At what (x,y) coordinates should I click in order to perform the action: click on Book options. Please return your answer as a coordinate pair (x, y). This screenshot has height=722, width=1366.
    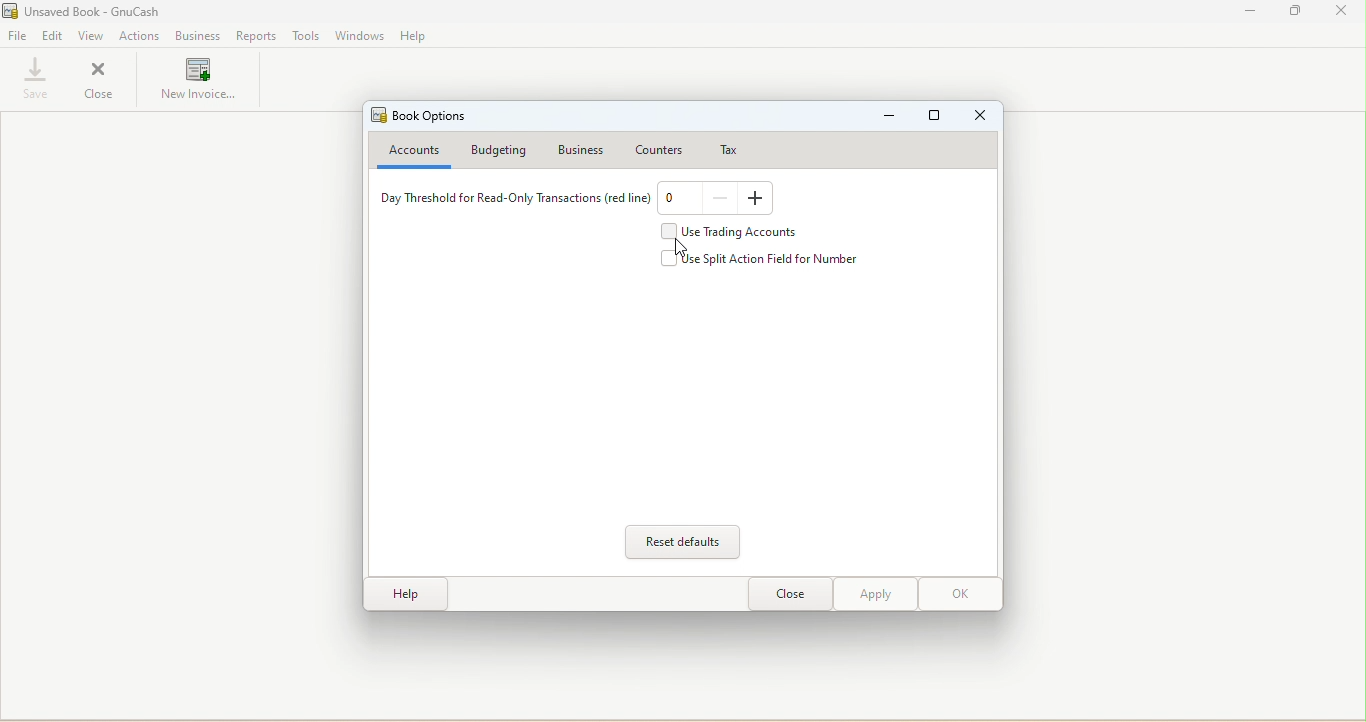
    Looking at the image, I should click on (423, 116).